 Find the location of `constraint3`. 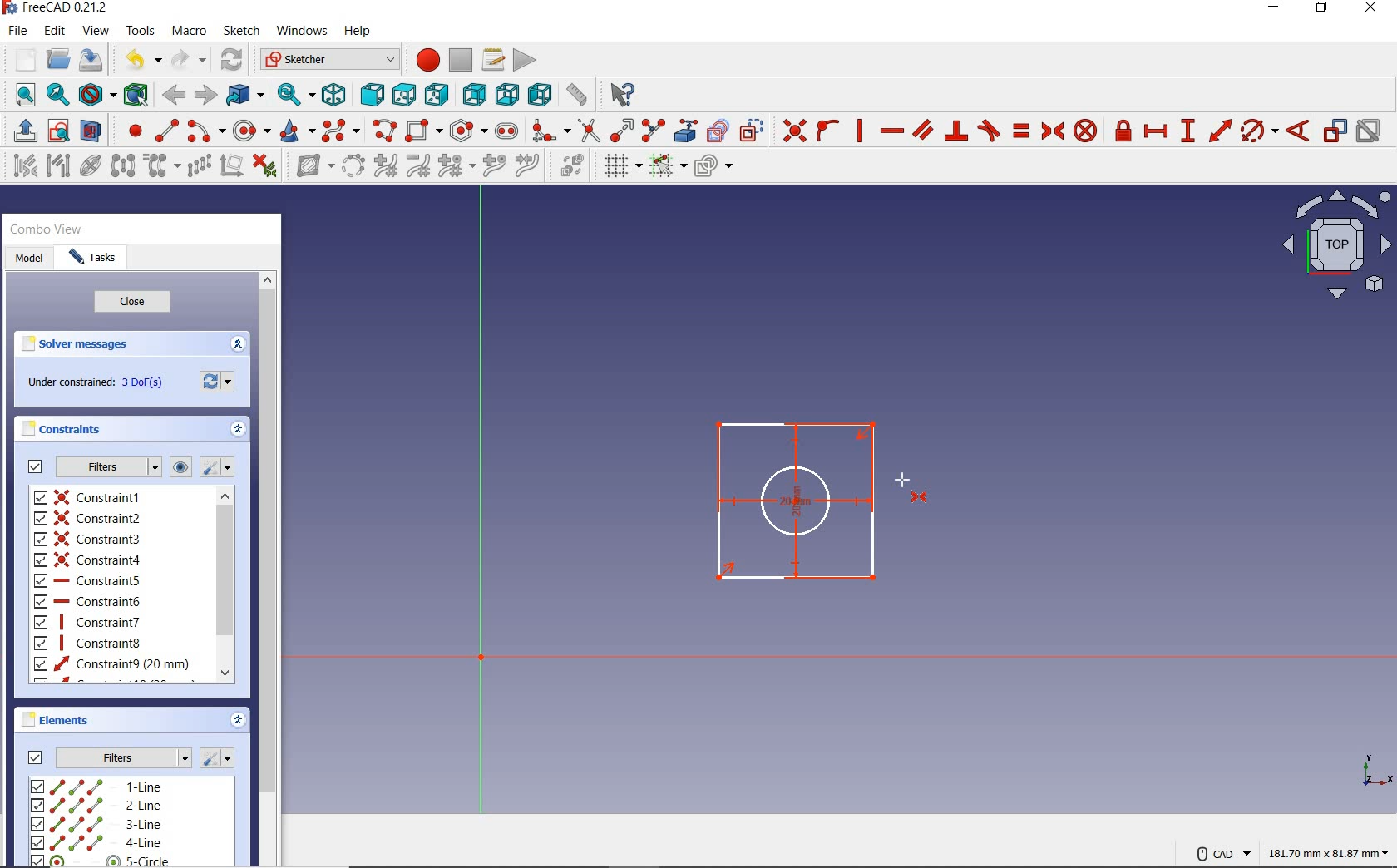

constraint3 is located at coordinates (88, 539).